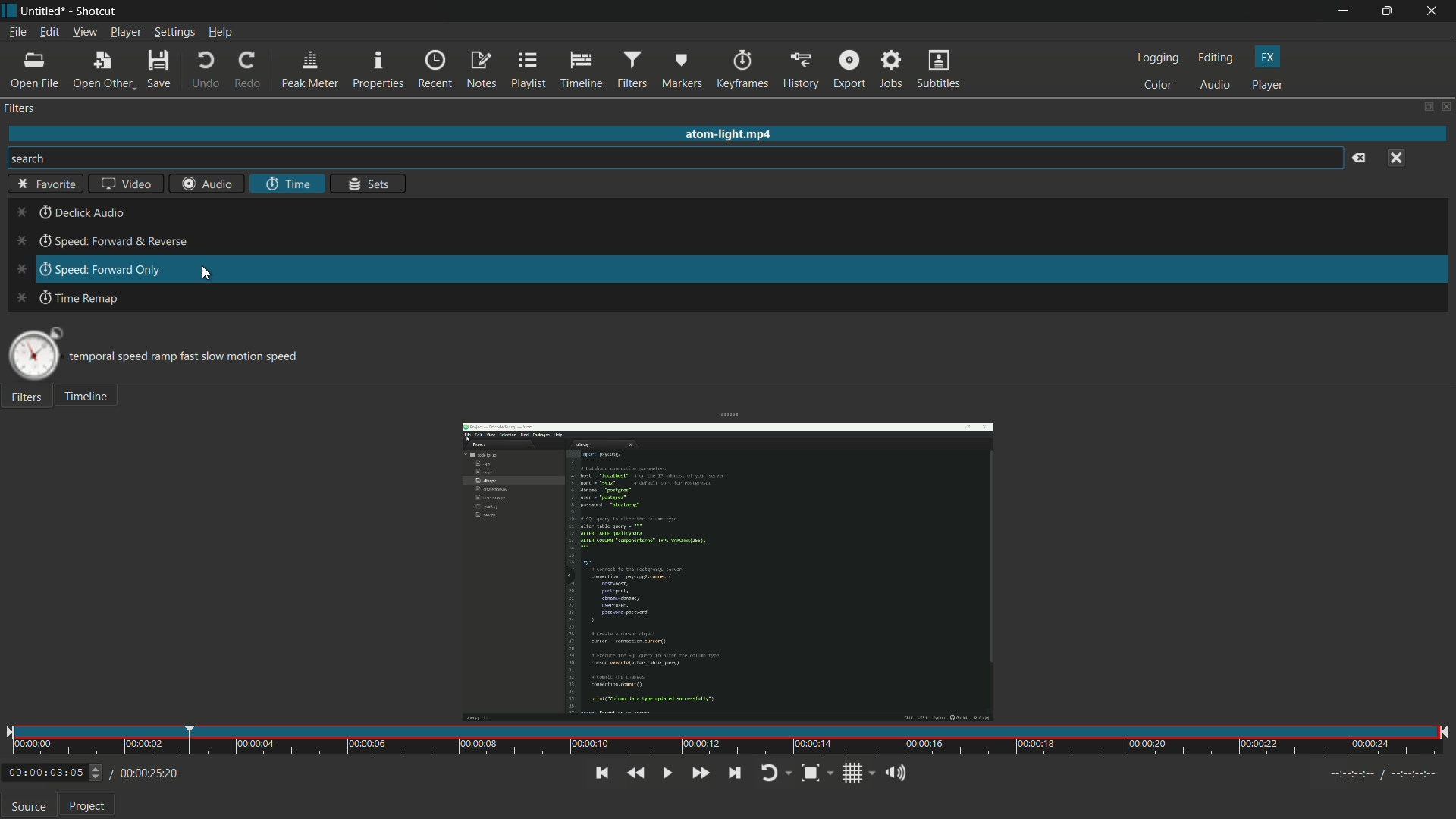  I want to click on /00:00:25:20, so click(149, 773).